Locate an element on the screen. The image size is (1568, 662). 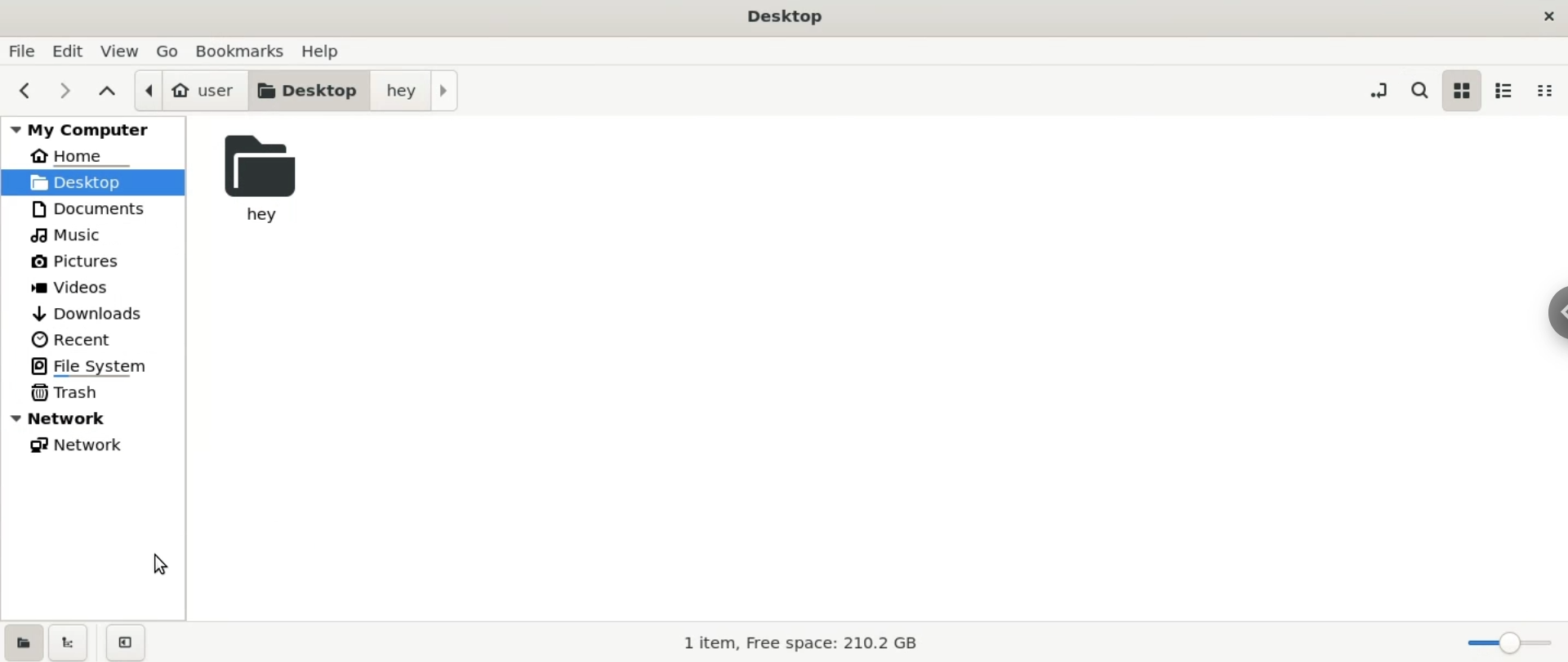
trash is located at coordinates (96, 394).